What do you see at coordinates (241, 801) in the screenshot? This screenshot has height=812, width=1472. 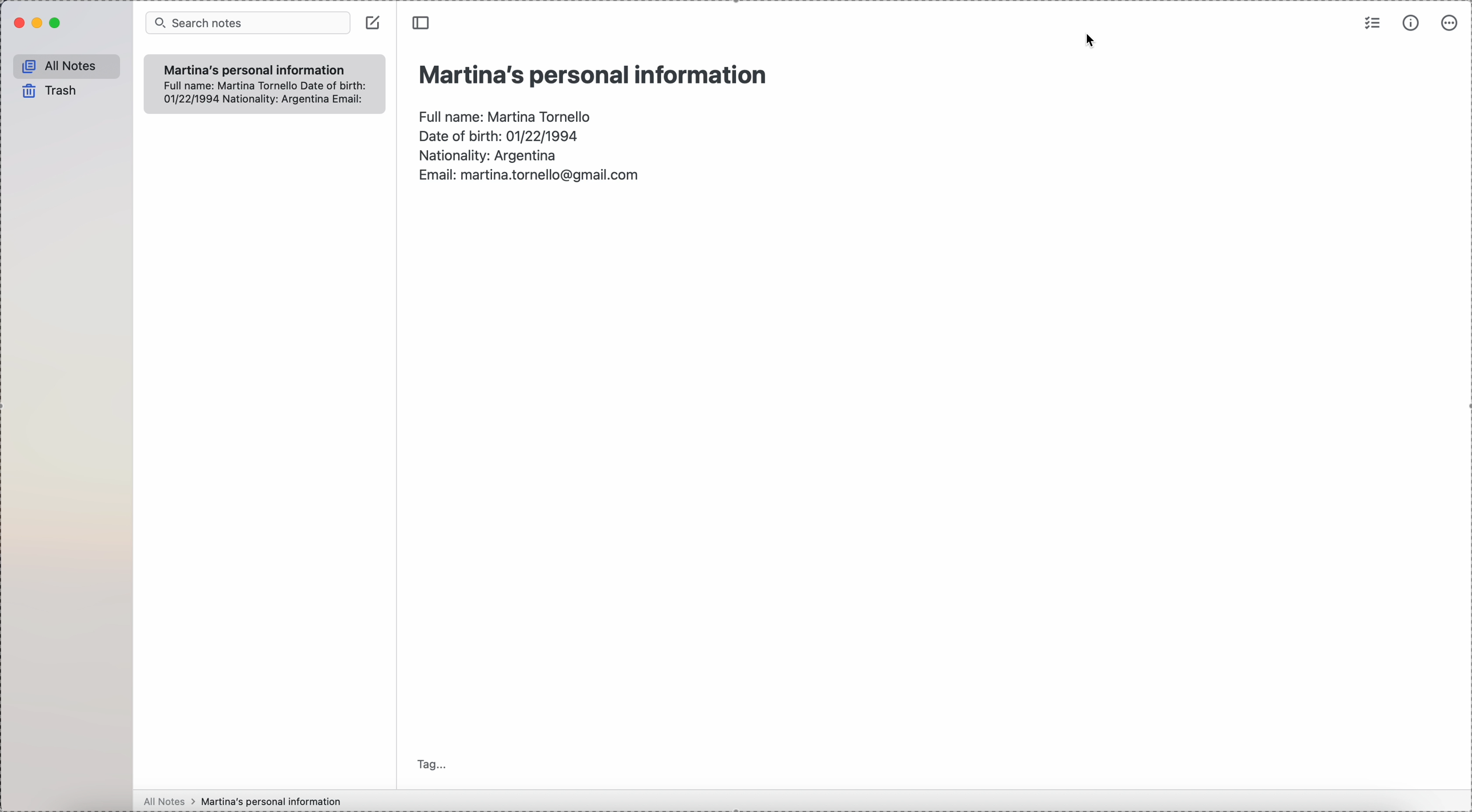 I see `all notes > Martina's personal information` at bounding box center [241, 801].